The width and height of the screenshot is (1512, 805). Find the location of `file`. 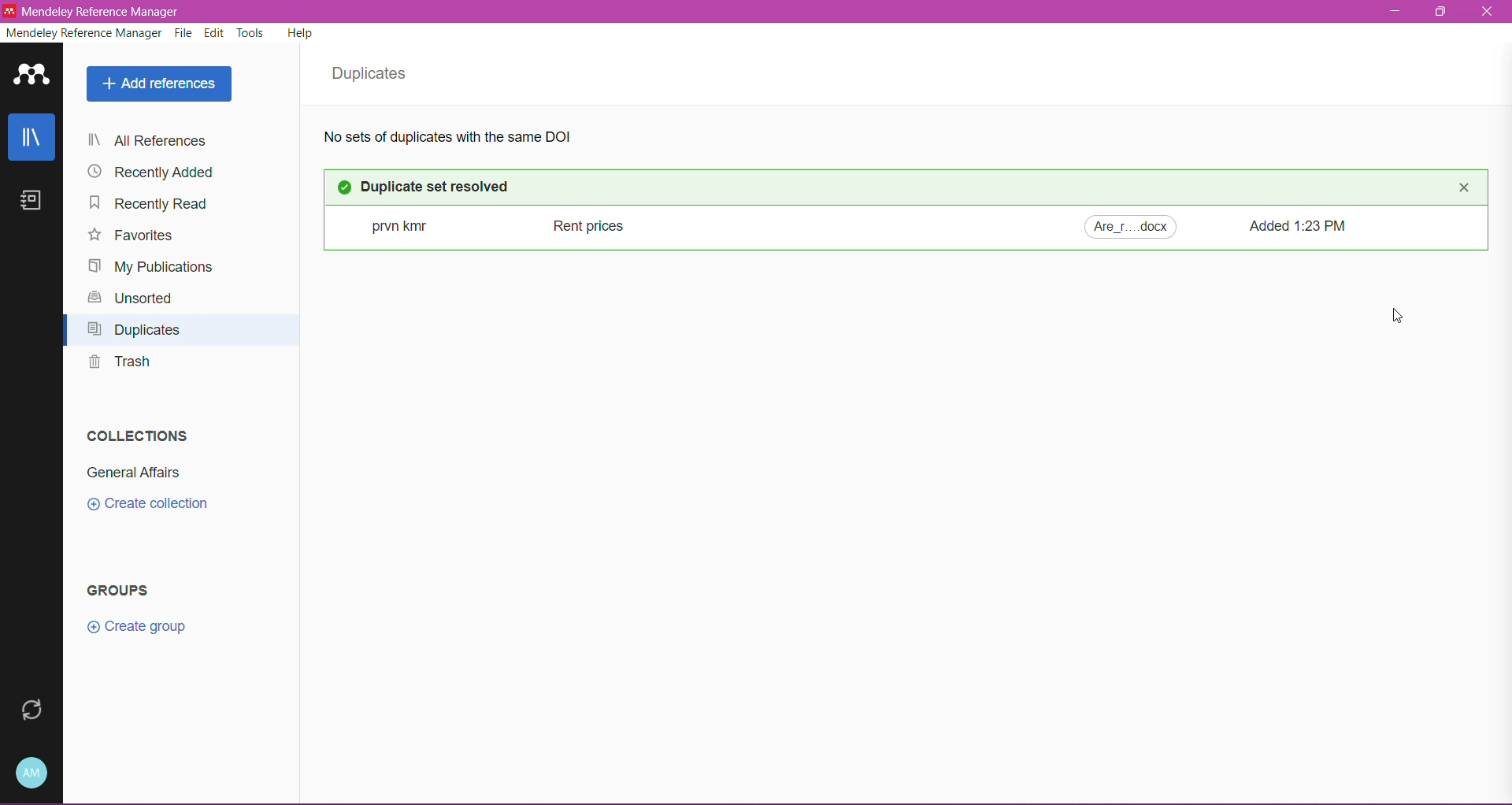

file is located at coordinates (1131, 226).